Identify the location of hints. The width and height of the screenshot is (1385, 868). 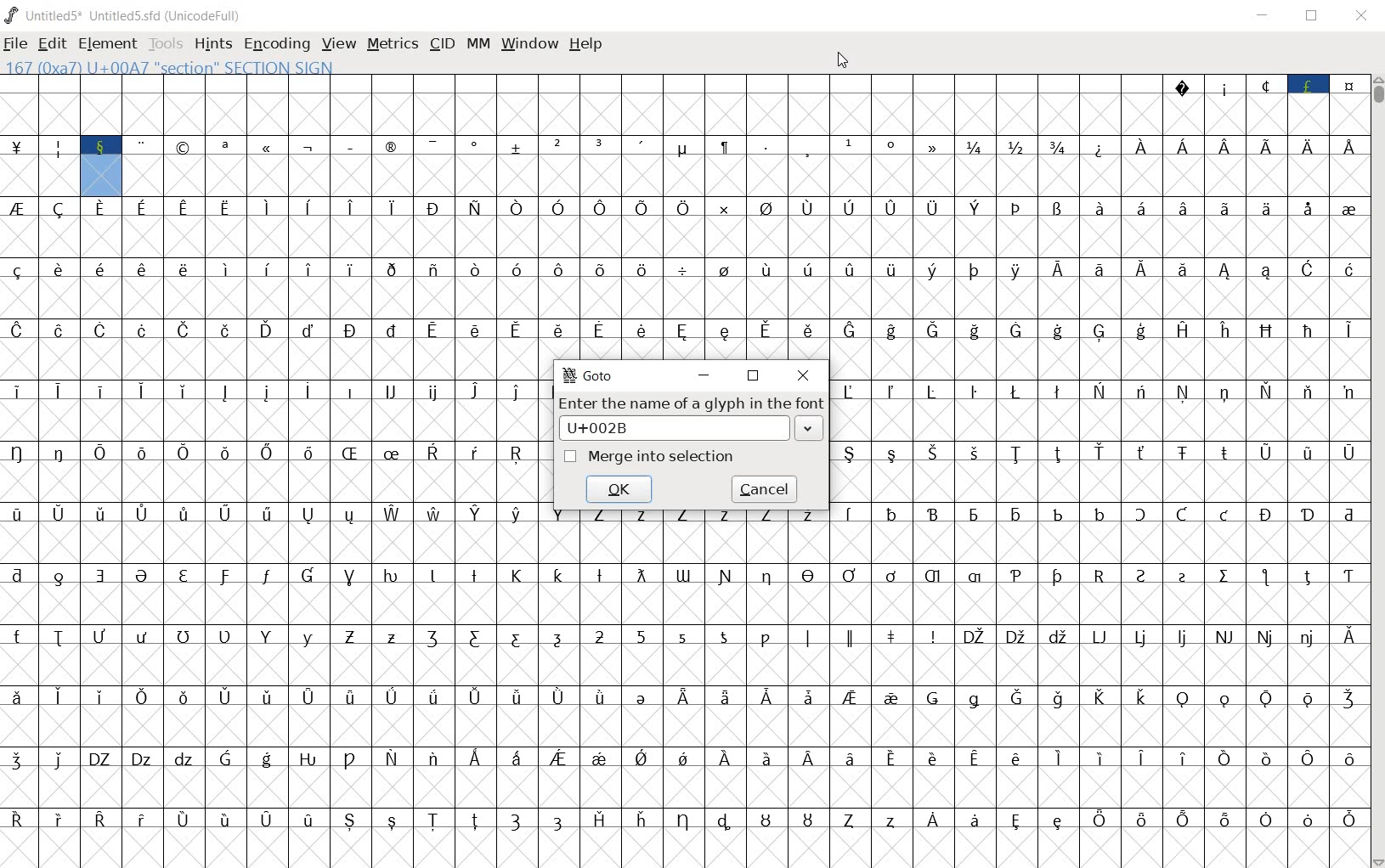
(212, 45).